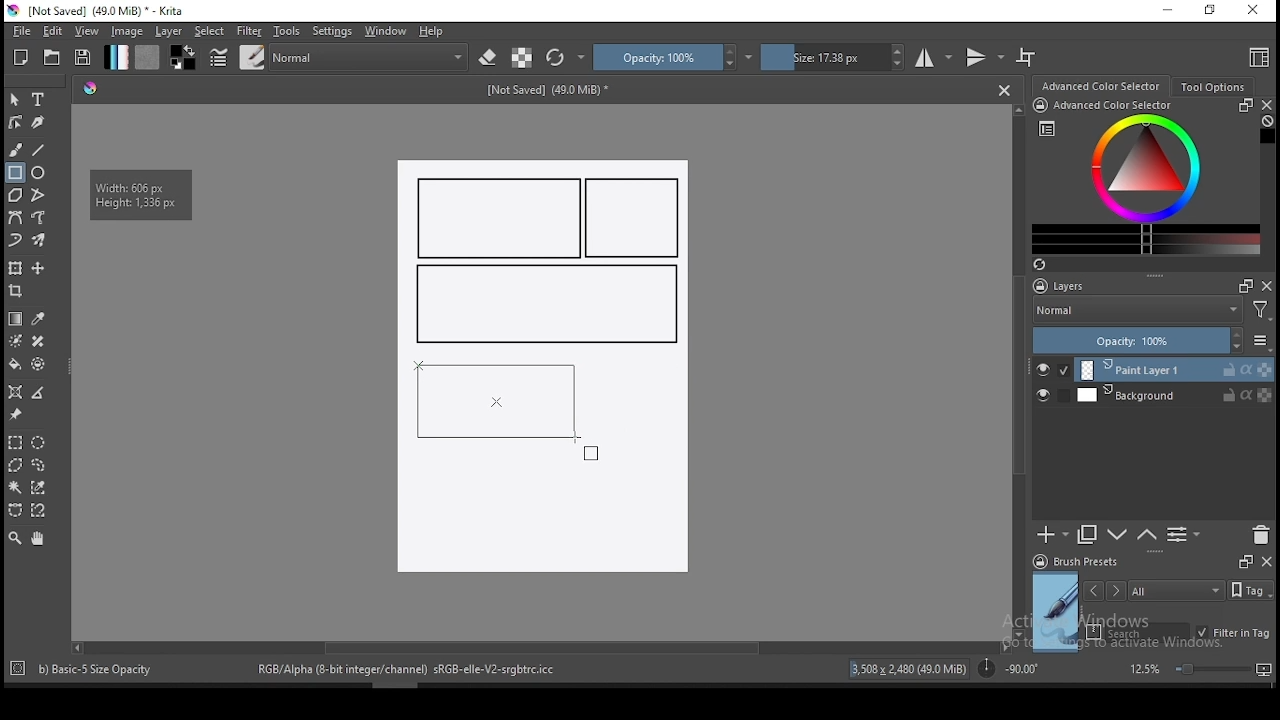 Image resolution: width=1280 pixels, height=720 pixels. Describe the element at coordinates (99, 11) in the screenshot. I see `icon and file name` at that location.